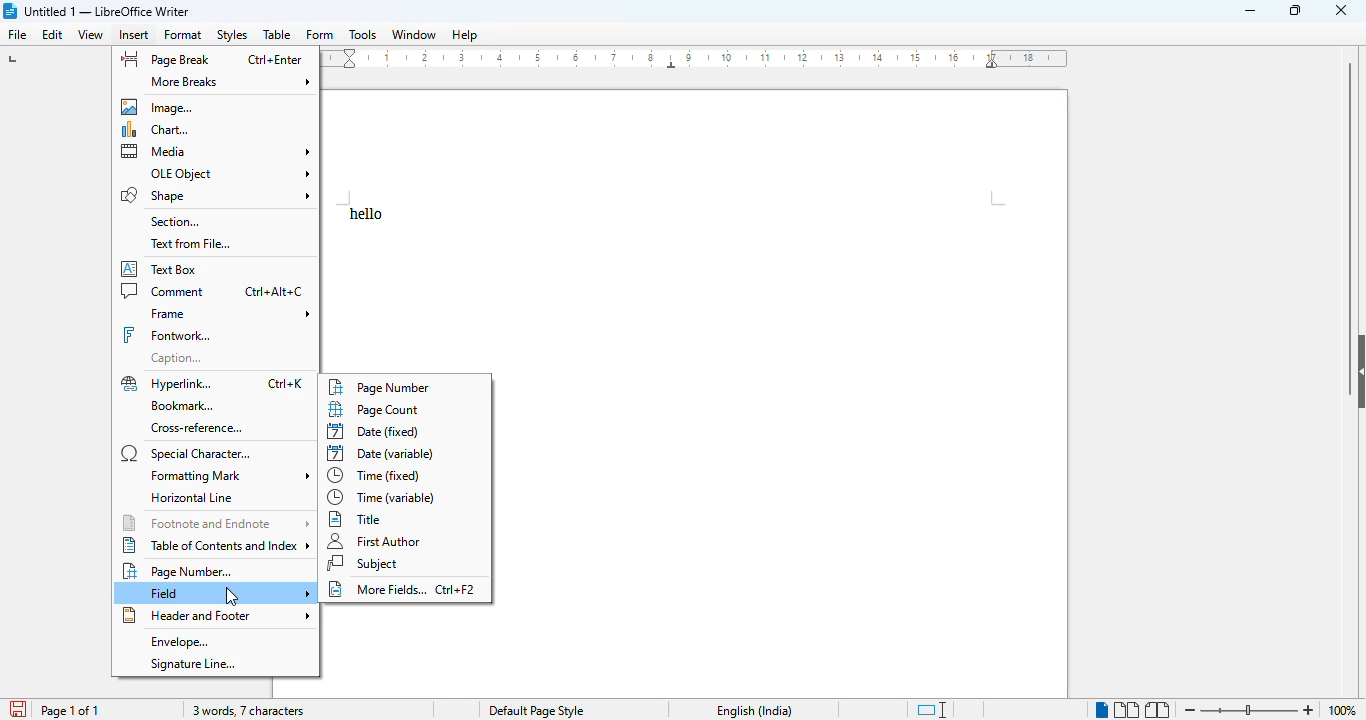 This screenshot has height=720, width=1366. I want to click on show, so click(1357, 371).